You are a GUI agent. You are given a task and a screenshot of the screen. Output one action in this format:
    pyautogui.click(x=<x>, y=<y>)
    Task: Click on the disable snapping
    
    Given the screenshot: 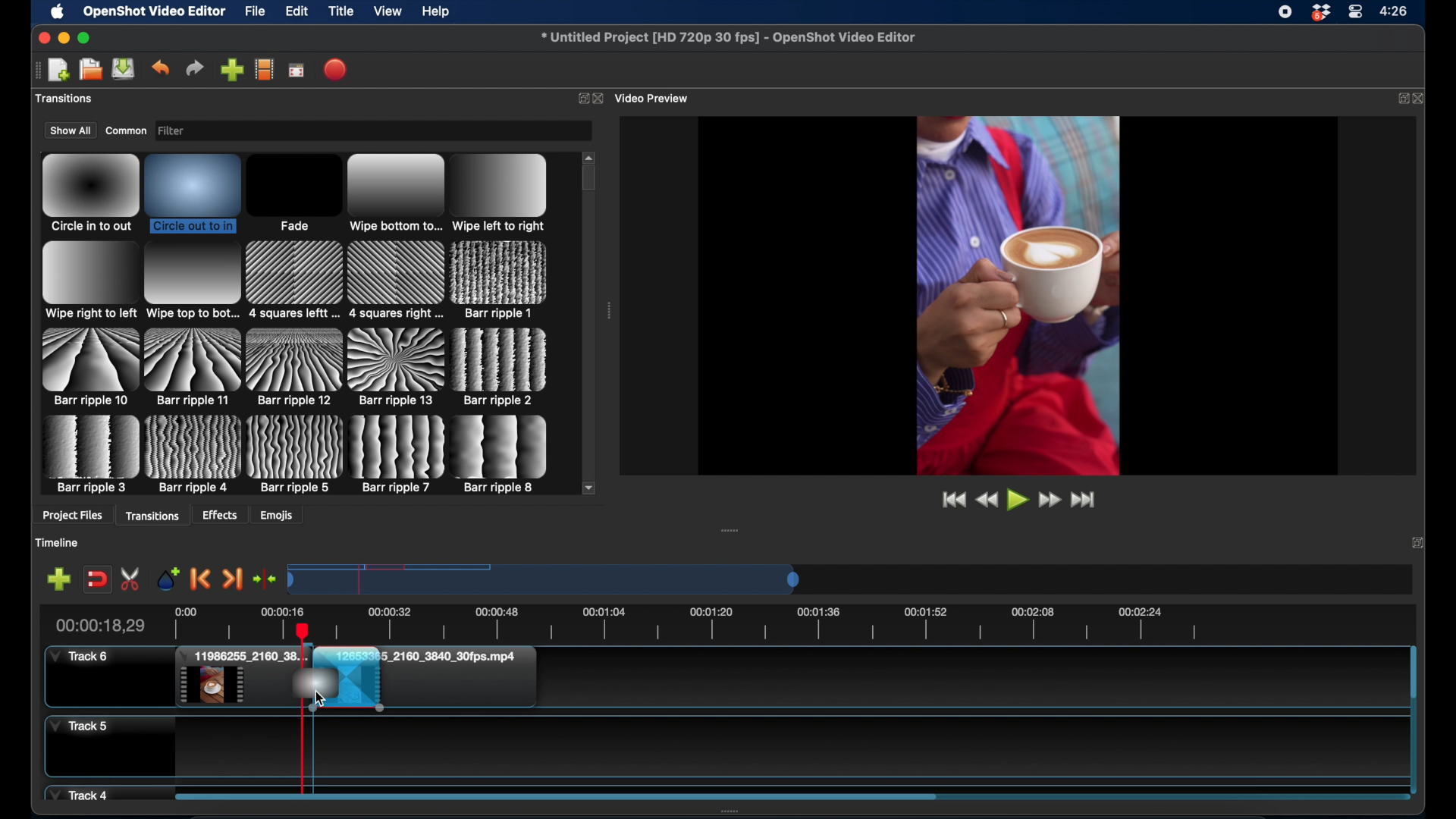 What is the action you would take?
    pyautogui.click(x=97, y=578)
    